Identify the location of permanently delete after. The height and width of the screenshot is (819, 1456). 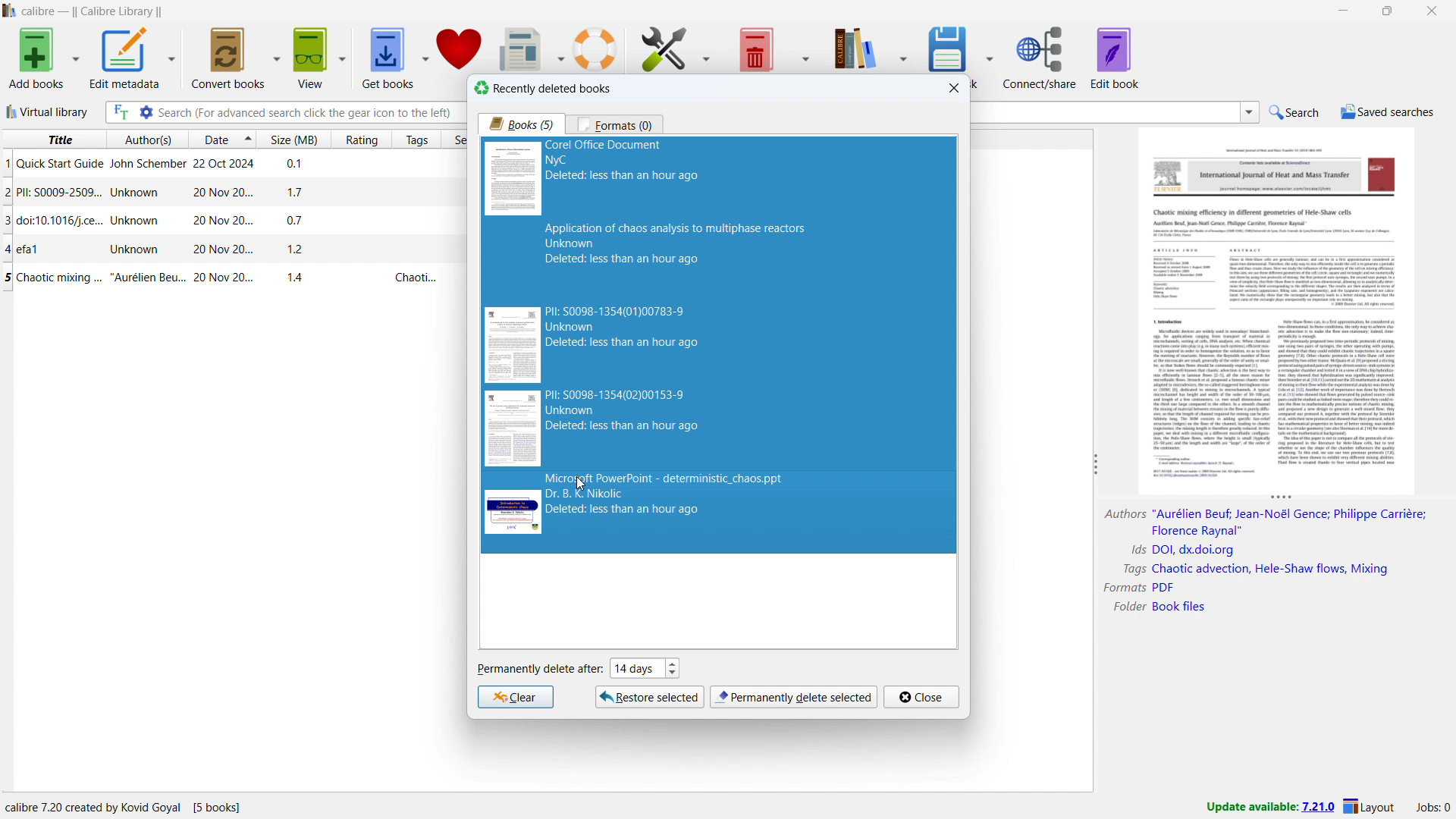
(539, 670).